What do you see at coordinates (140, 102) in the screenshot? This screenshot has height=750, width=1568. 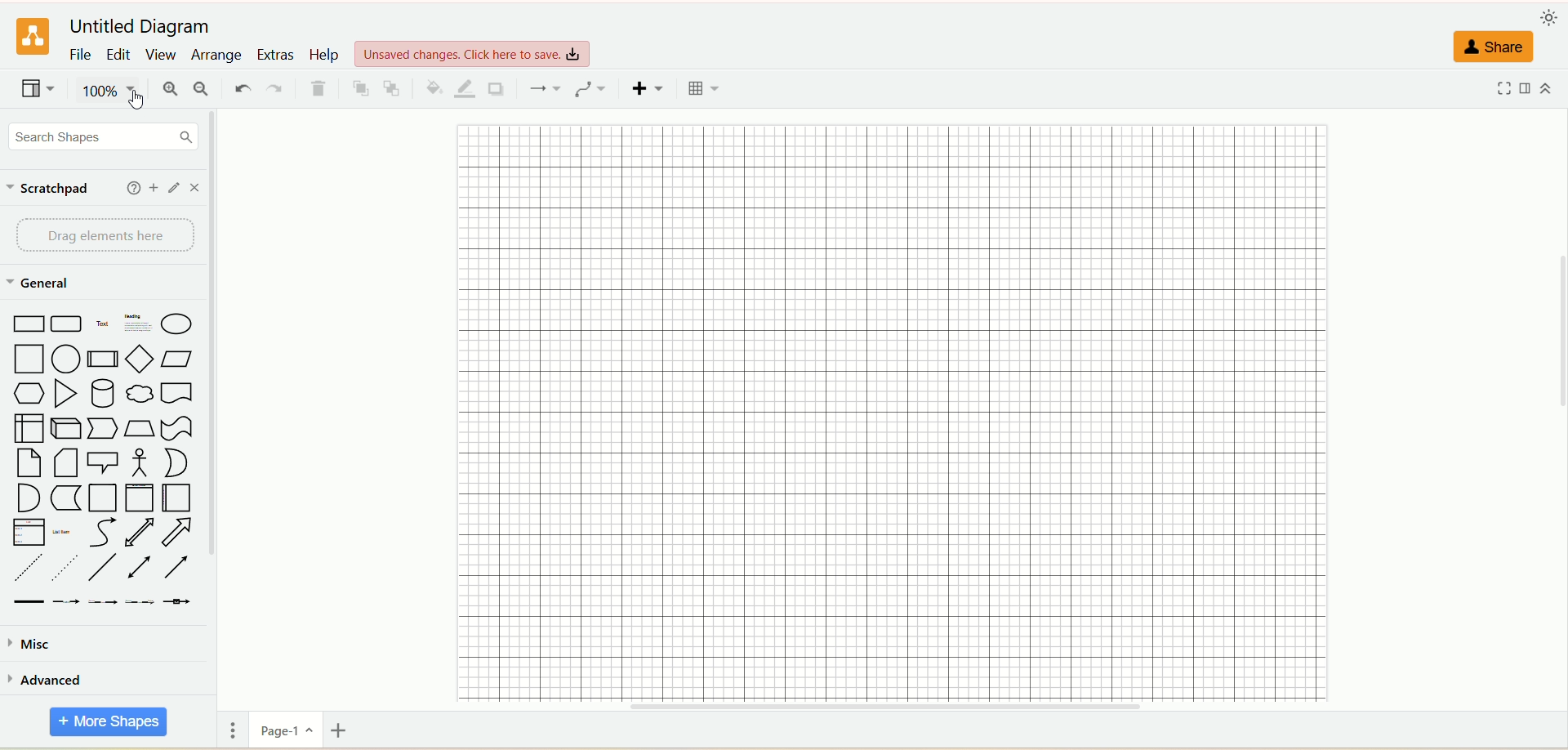 I see `cursor` at bounding box center [140, 102].